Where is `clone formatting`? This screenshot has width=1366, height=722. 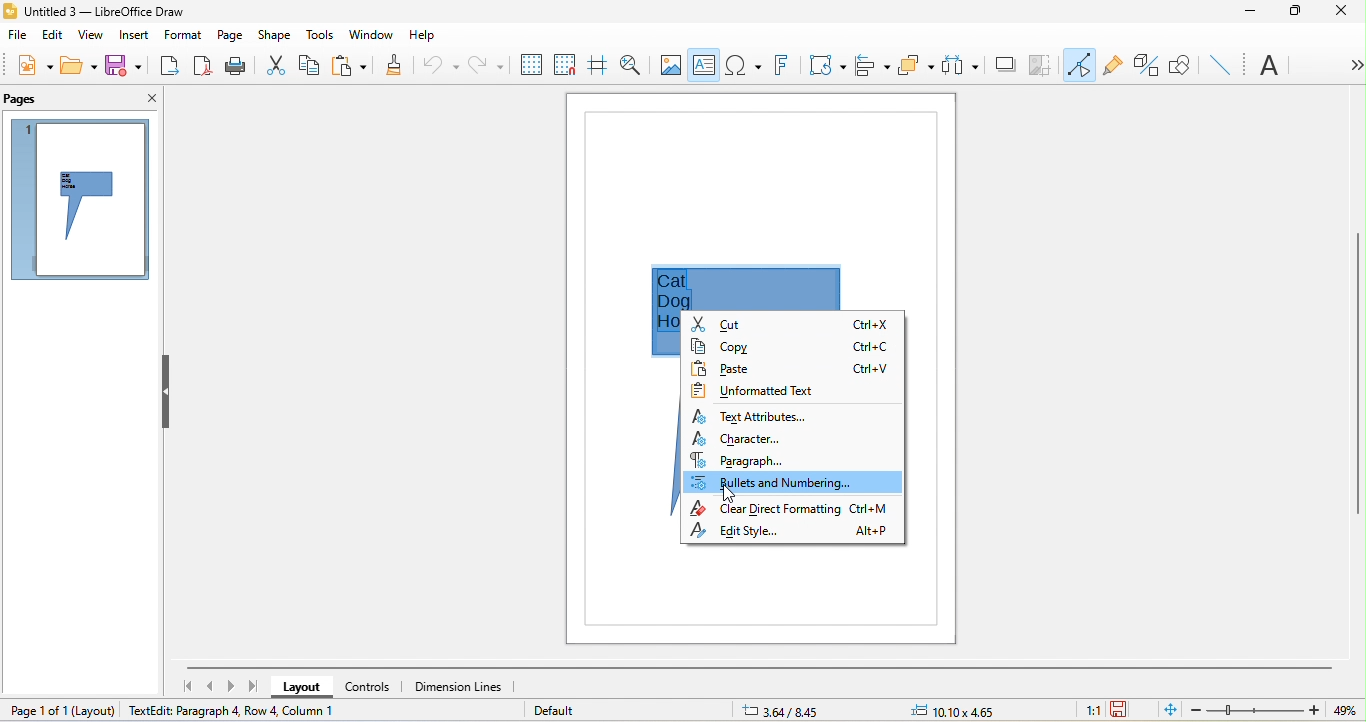
clone formatting is located at coordinates (389, 67).